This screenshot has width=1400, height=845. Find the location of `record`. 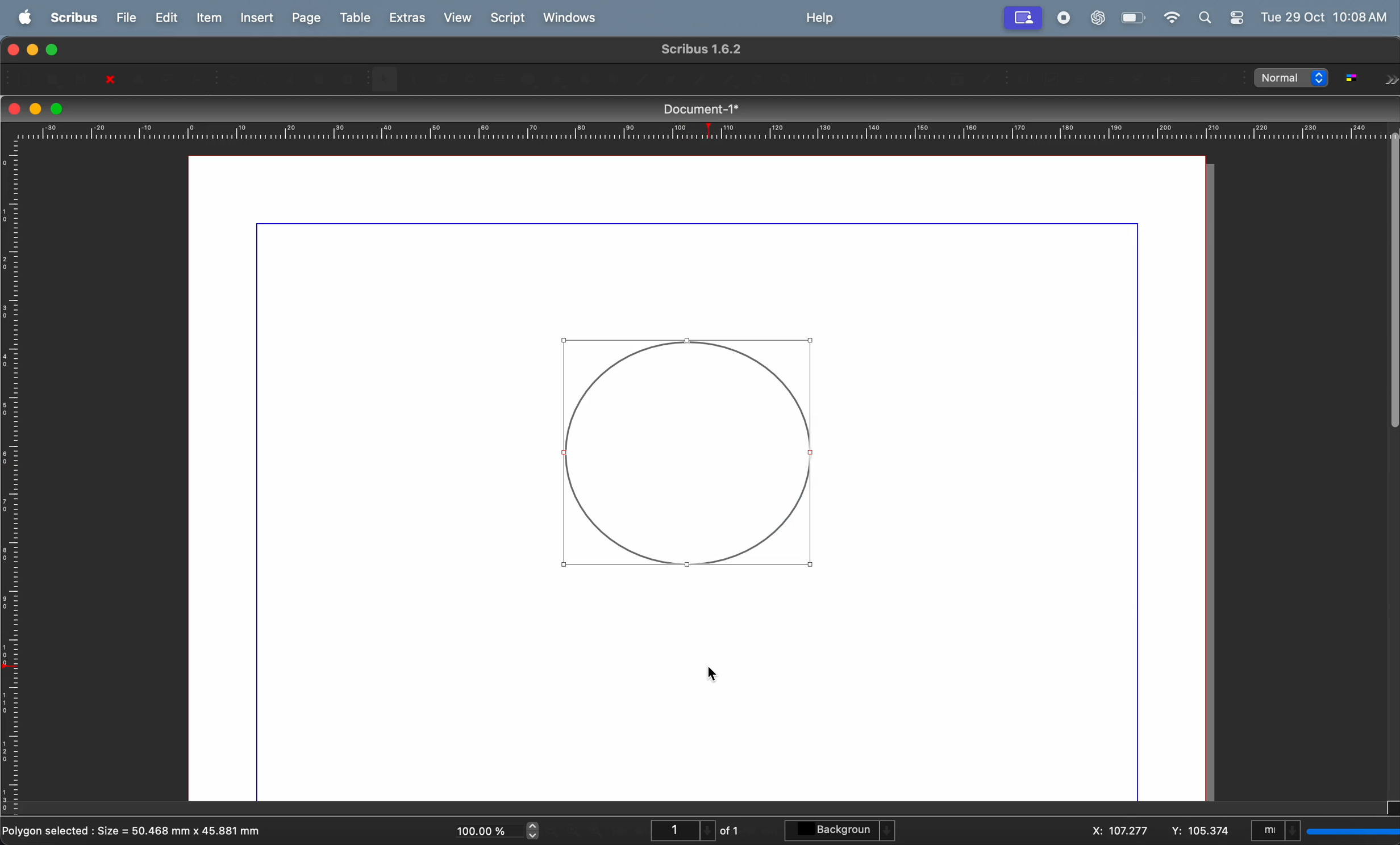

record is located at coordinates (1062, 19).